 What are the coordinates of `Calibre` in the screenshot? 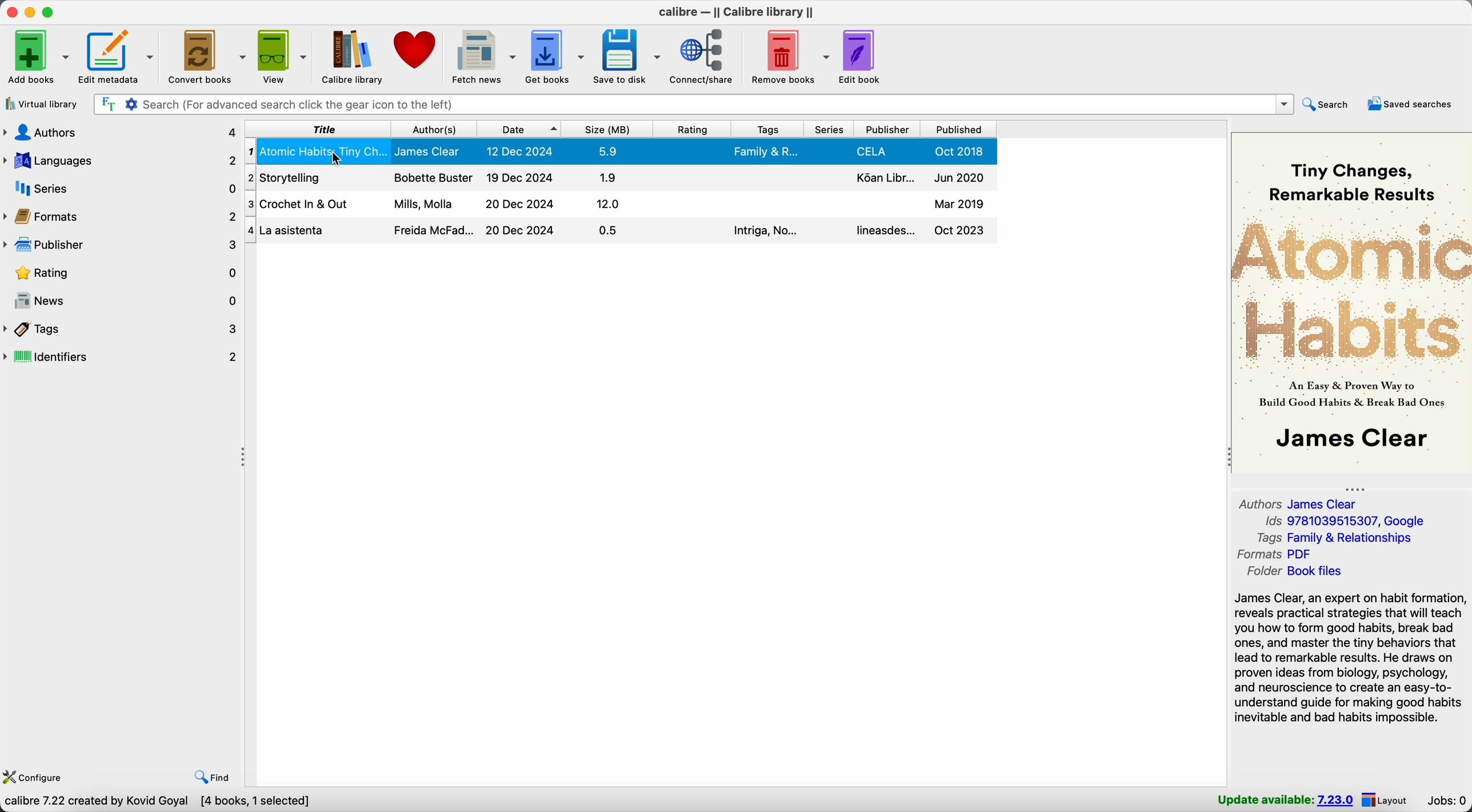 It's located at (738, 12).